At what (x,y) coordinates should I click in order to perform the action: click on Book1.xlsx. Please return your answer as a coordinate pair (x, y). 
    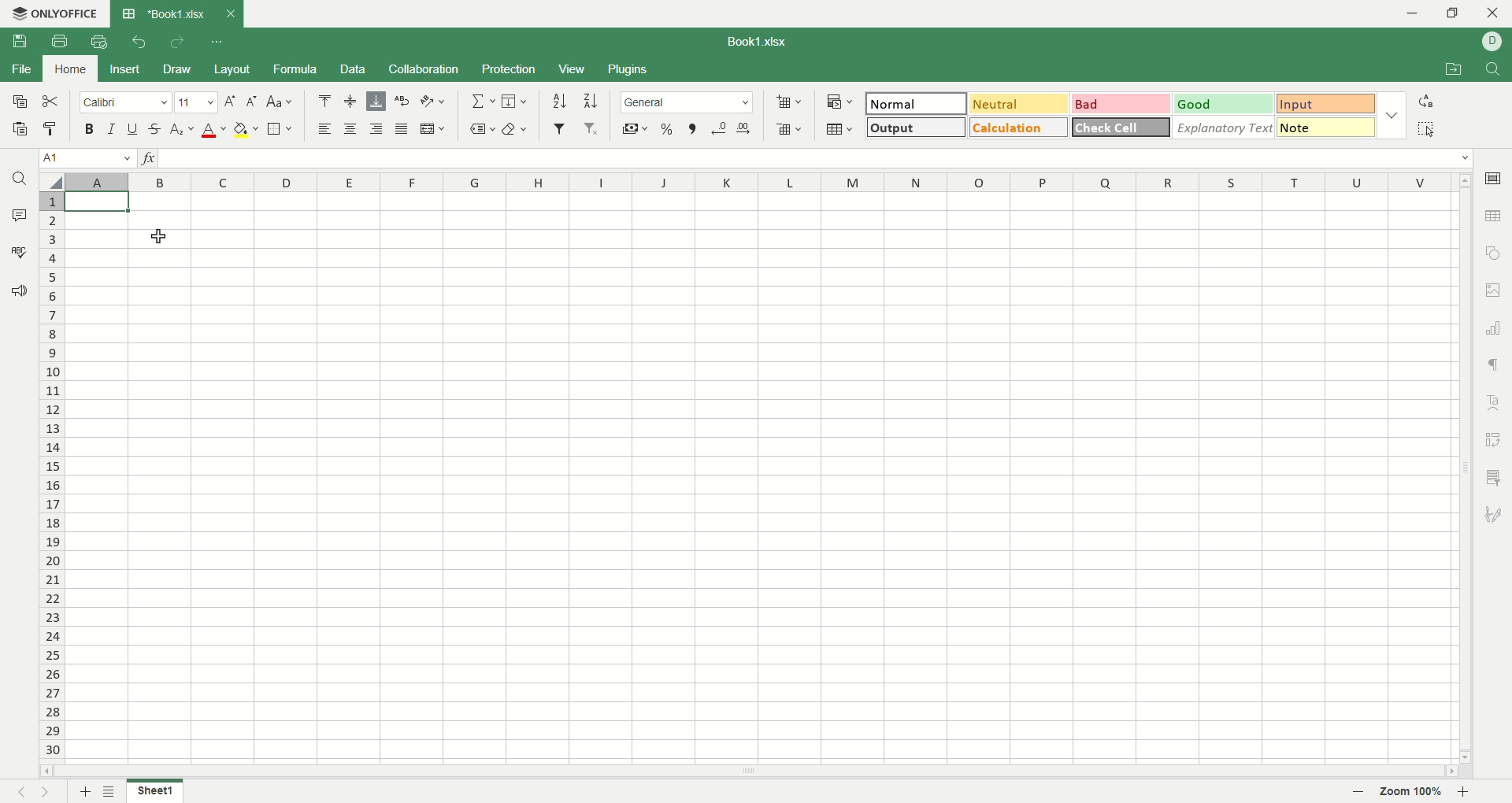
    Looking at the image, I should click on (760, 41).